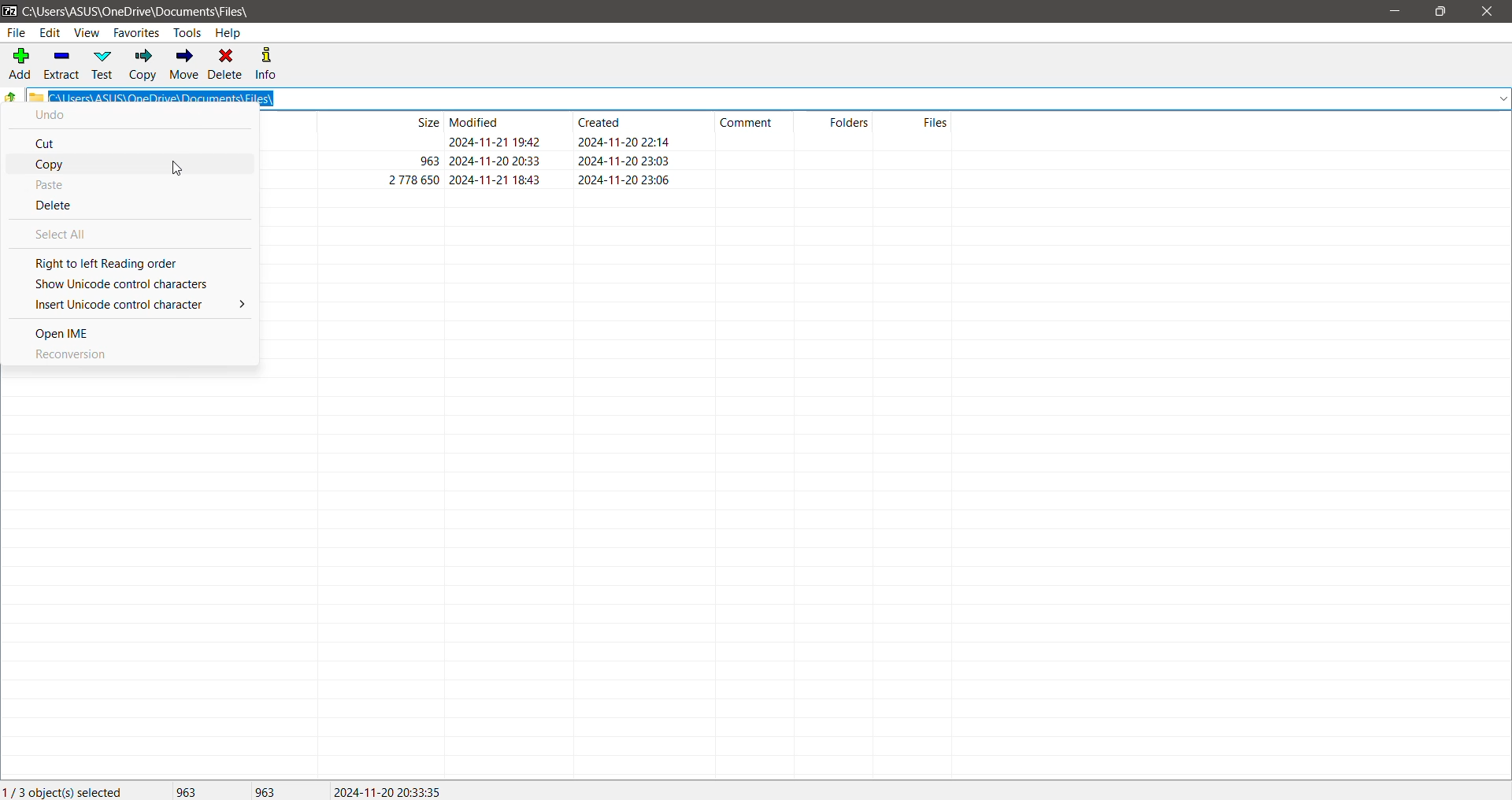  I want to click on created, so click(598, 122).